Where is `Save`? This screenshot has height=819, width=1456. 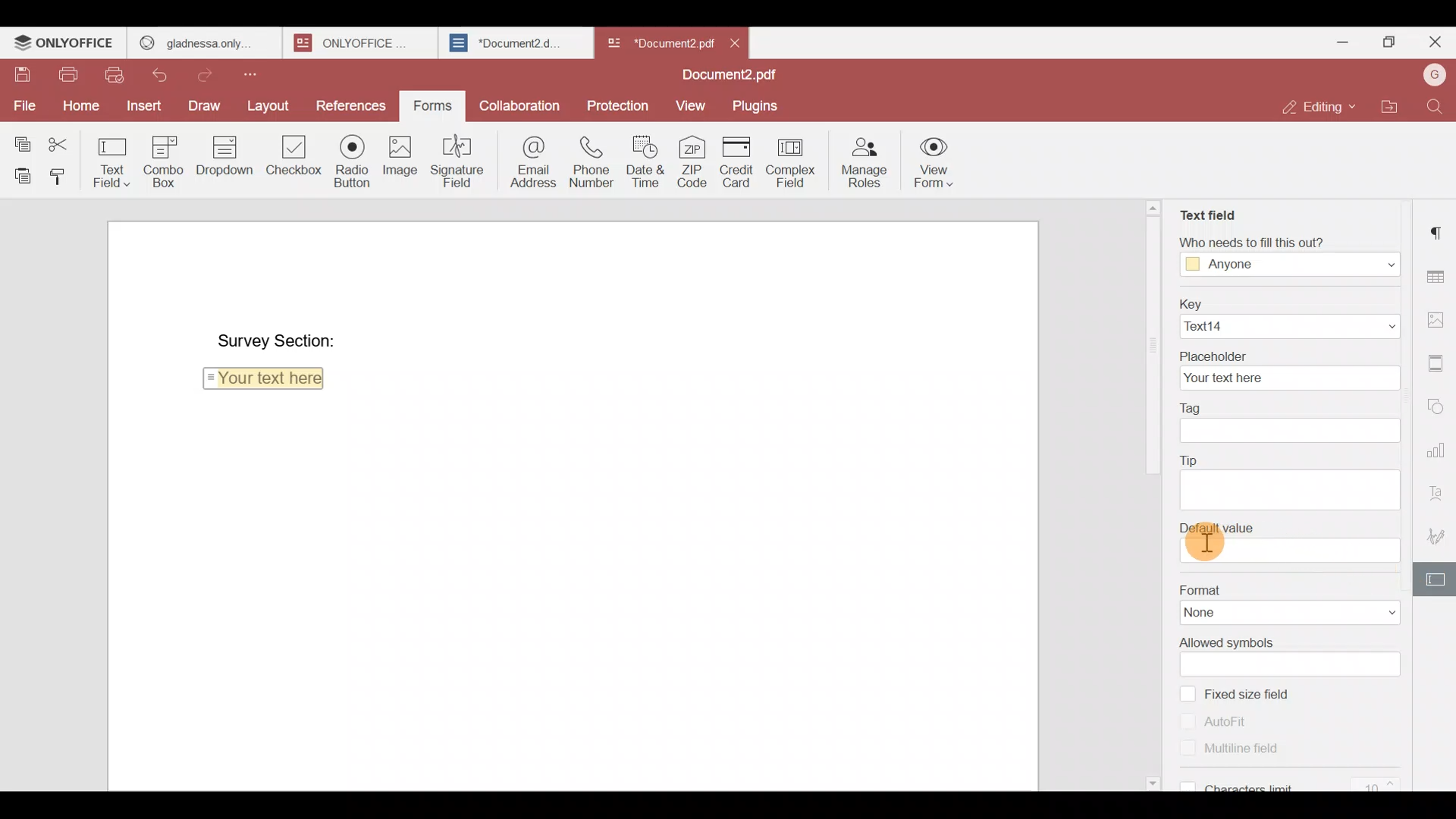
Save is located at coordinates (15, 69).